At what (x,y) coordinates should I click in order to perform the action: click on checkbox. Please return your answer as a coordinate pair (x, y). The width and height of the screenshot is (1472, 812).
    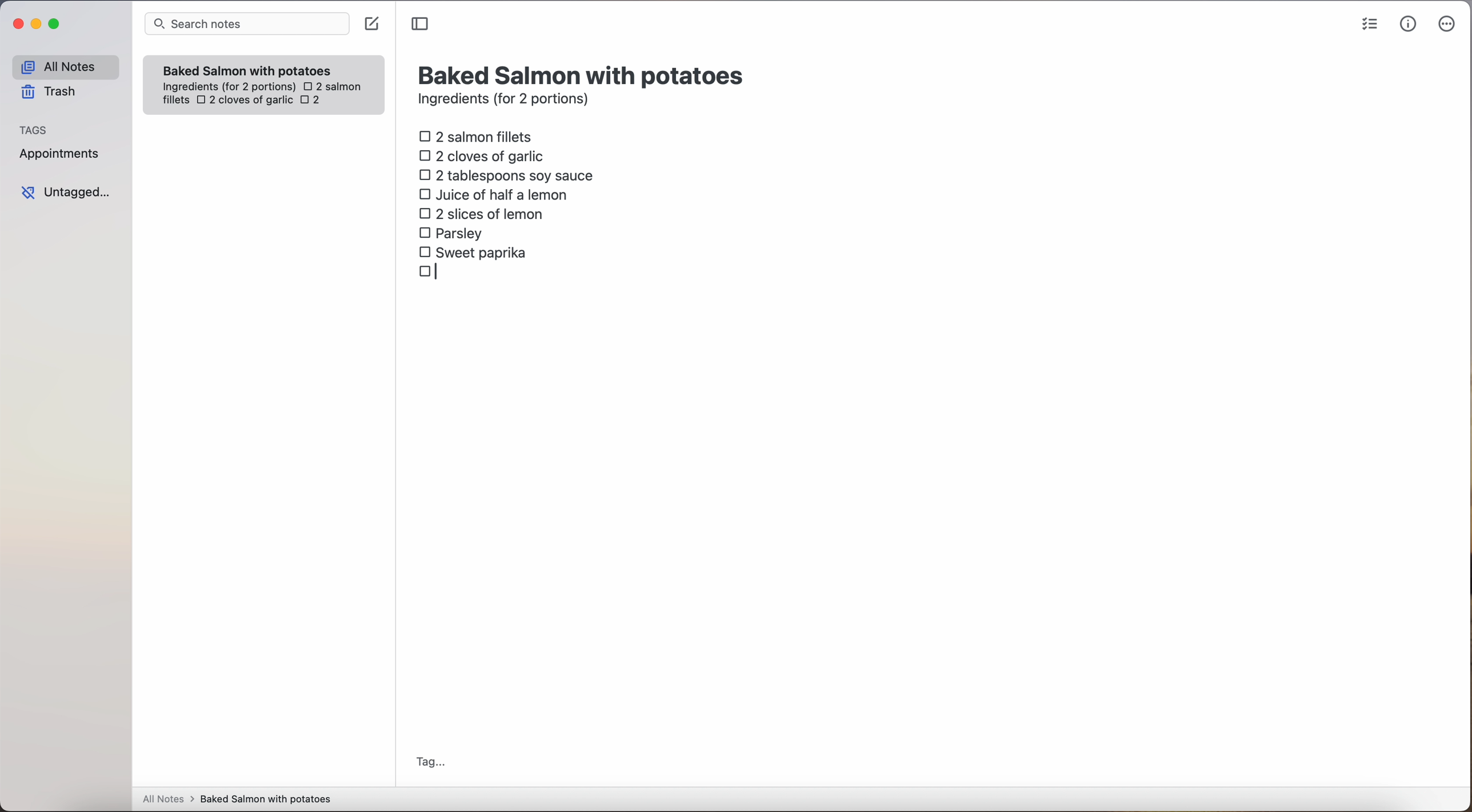
    Looking at the image, I should click on (431, 273).